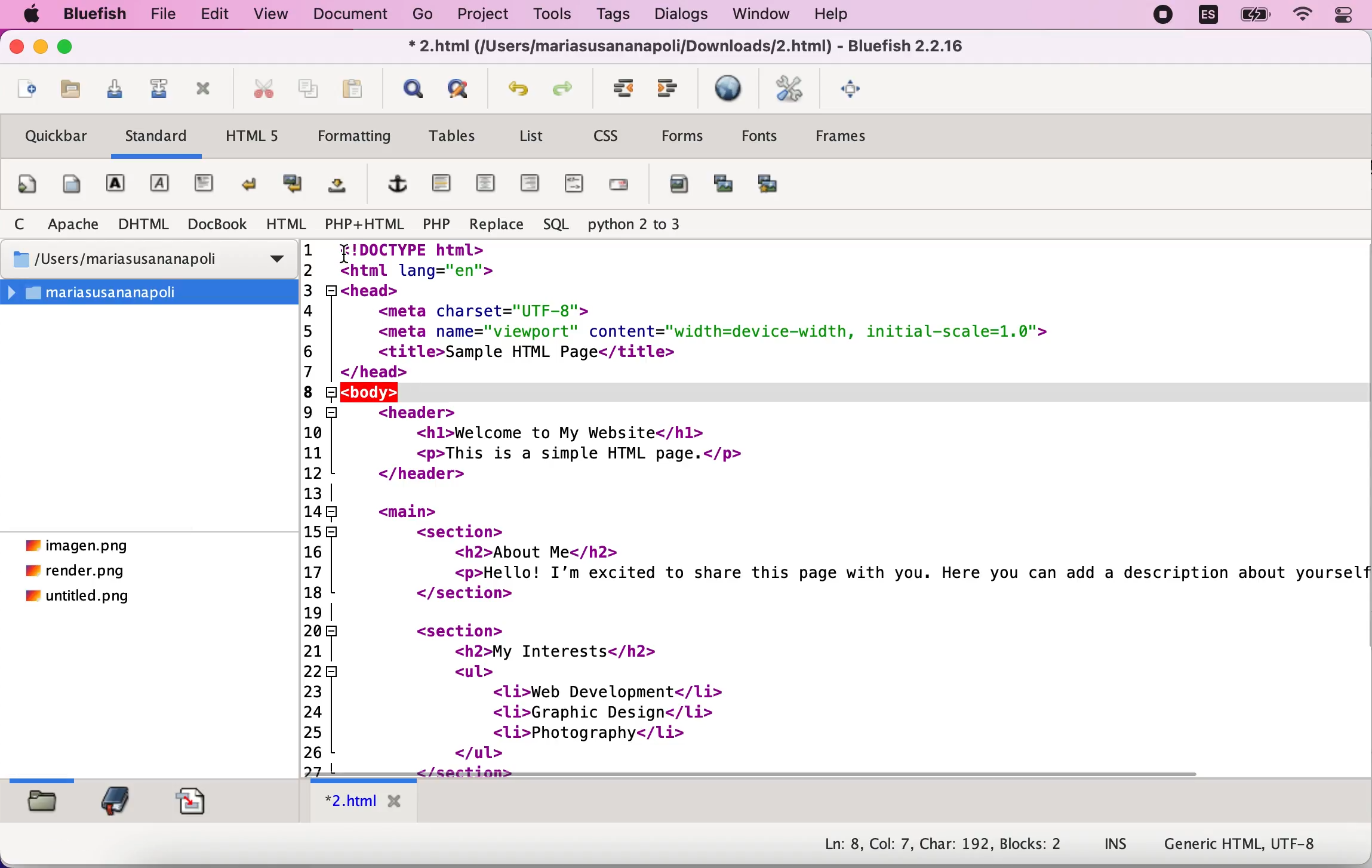 This screenshot has width=1372, height=868. I want to click on css, so click(612, 140).